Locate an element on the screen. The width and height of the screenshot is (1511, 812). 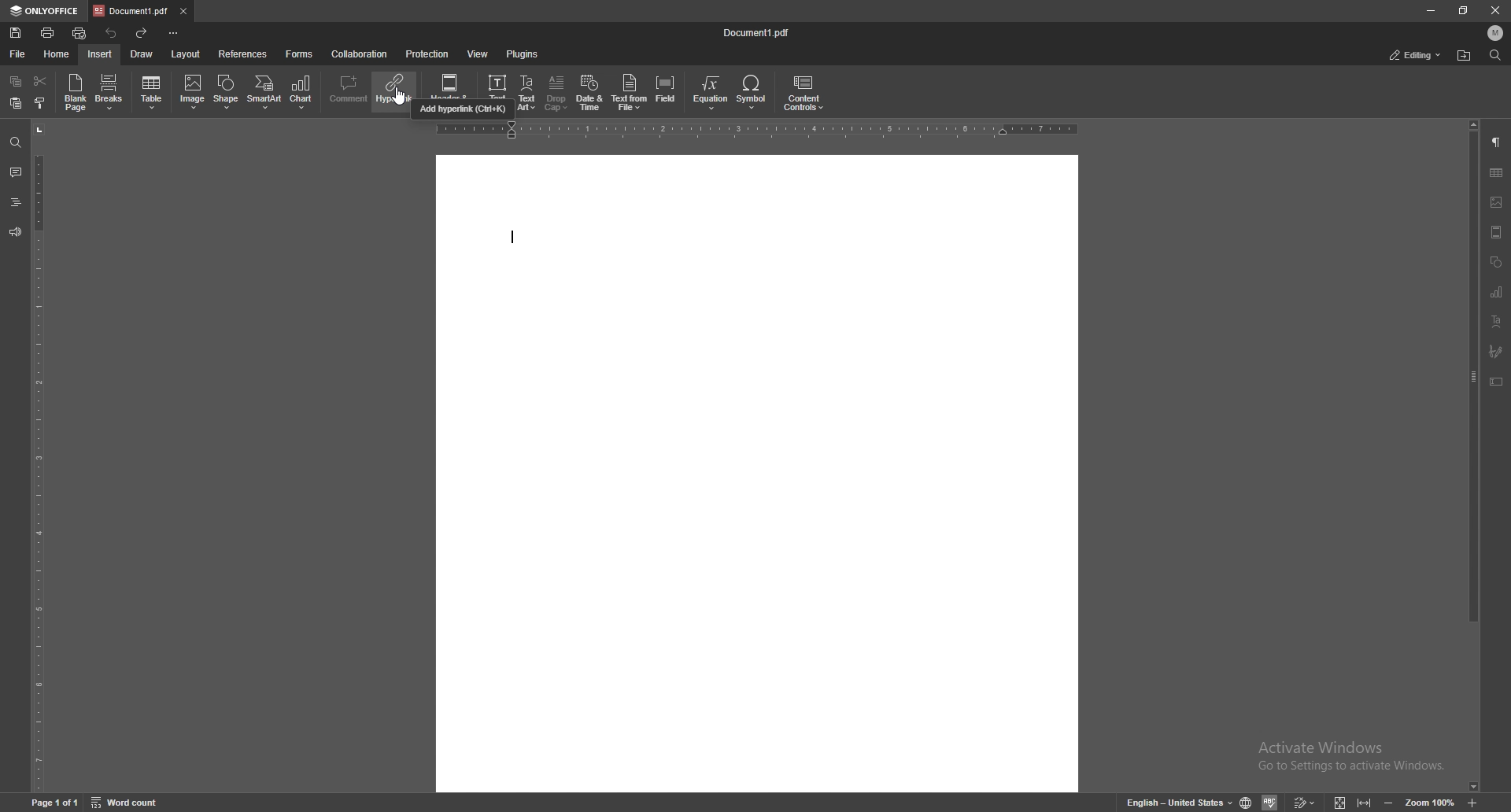
zoom in is located at coordinates (1473, 803).